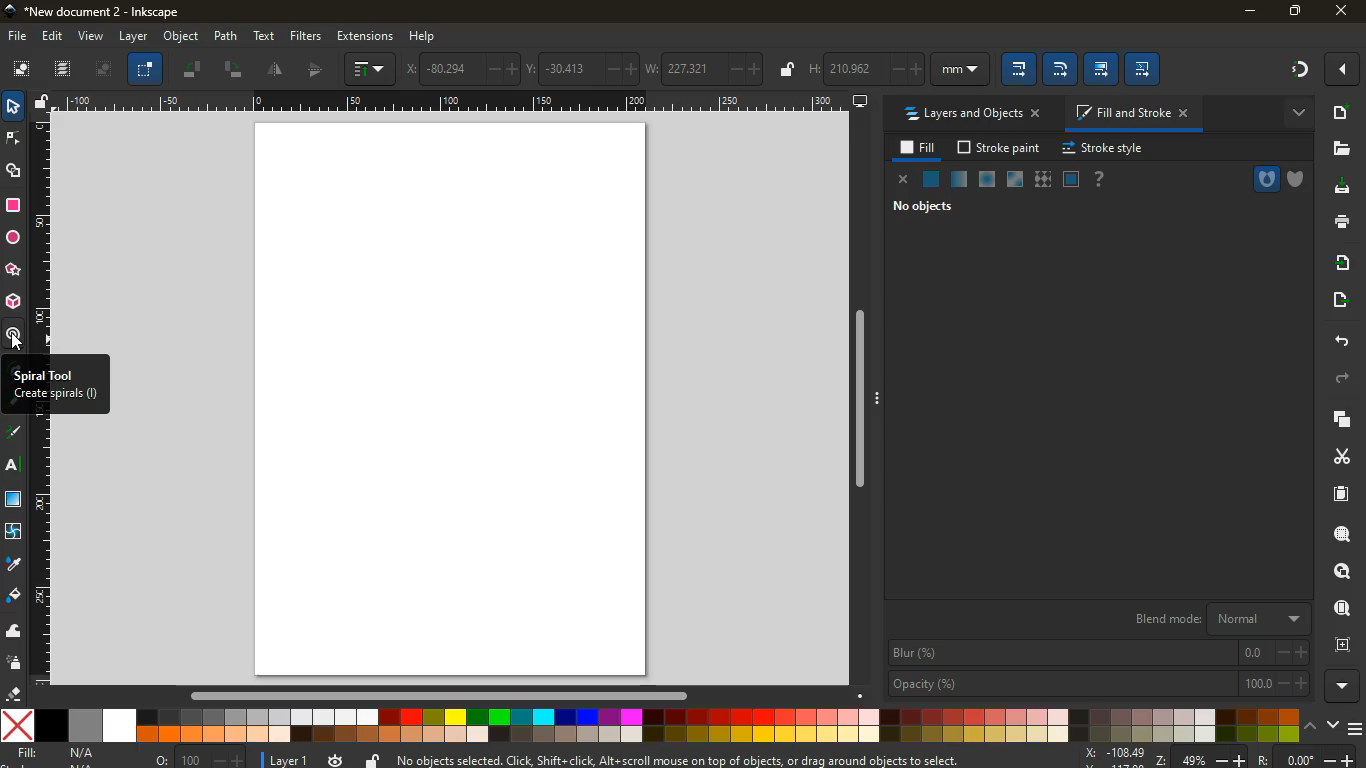 This screenshot has height=768, width=1366. Describe the element at coordinates (14, 532) in the screenshot. I see `twist` at that location.